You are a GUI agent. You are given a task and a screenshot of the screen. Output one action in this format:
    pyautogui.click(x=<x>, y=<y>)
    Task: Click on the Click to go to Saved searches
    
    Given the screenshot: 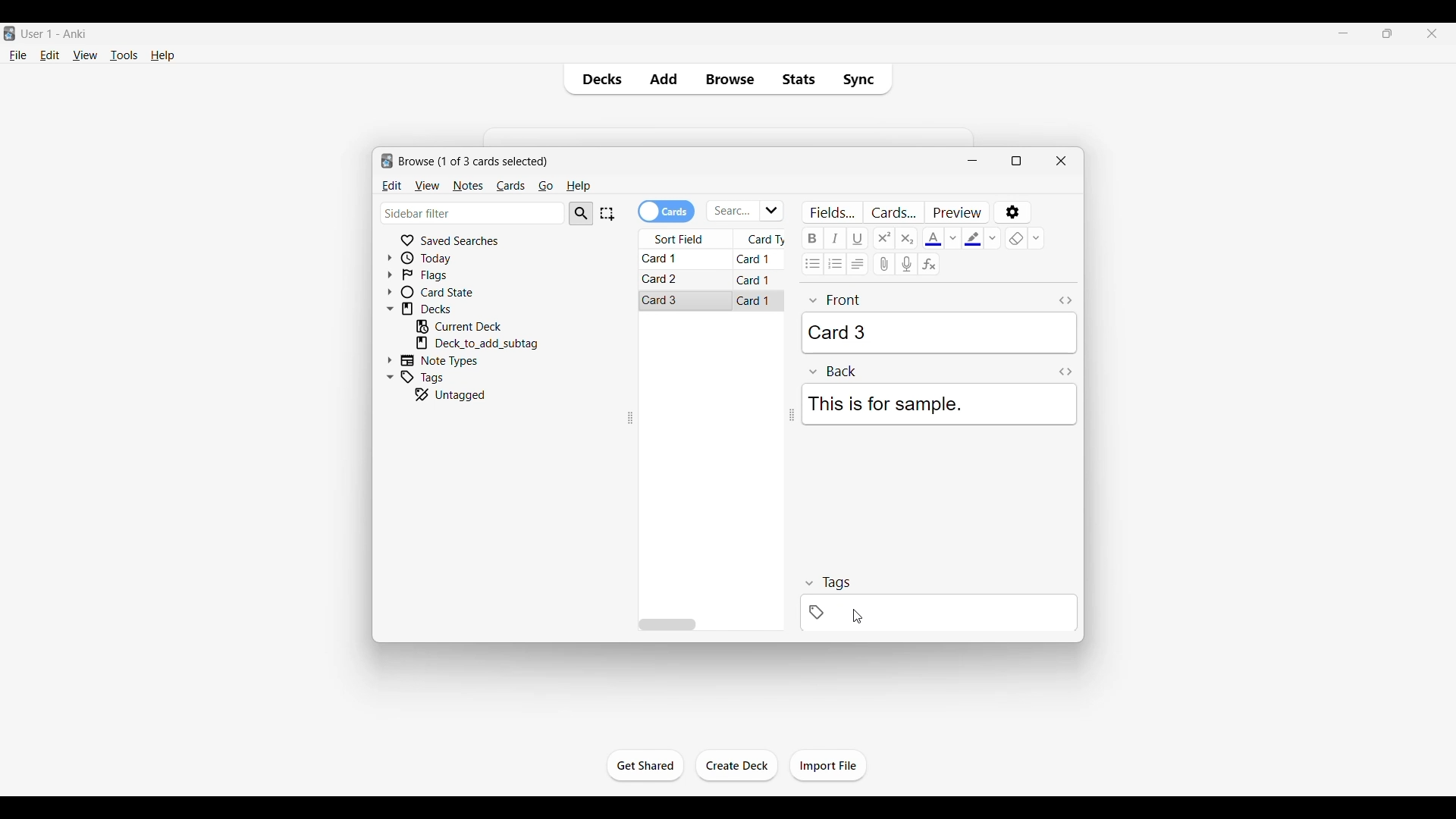 What is the action you would take?
    pyautogui.click(x=448, y=240)
    